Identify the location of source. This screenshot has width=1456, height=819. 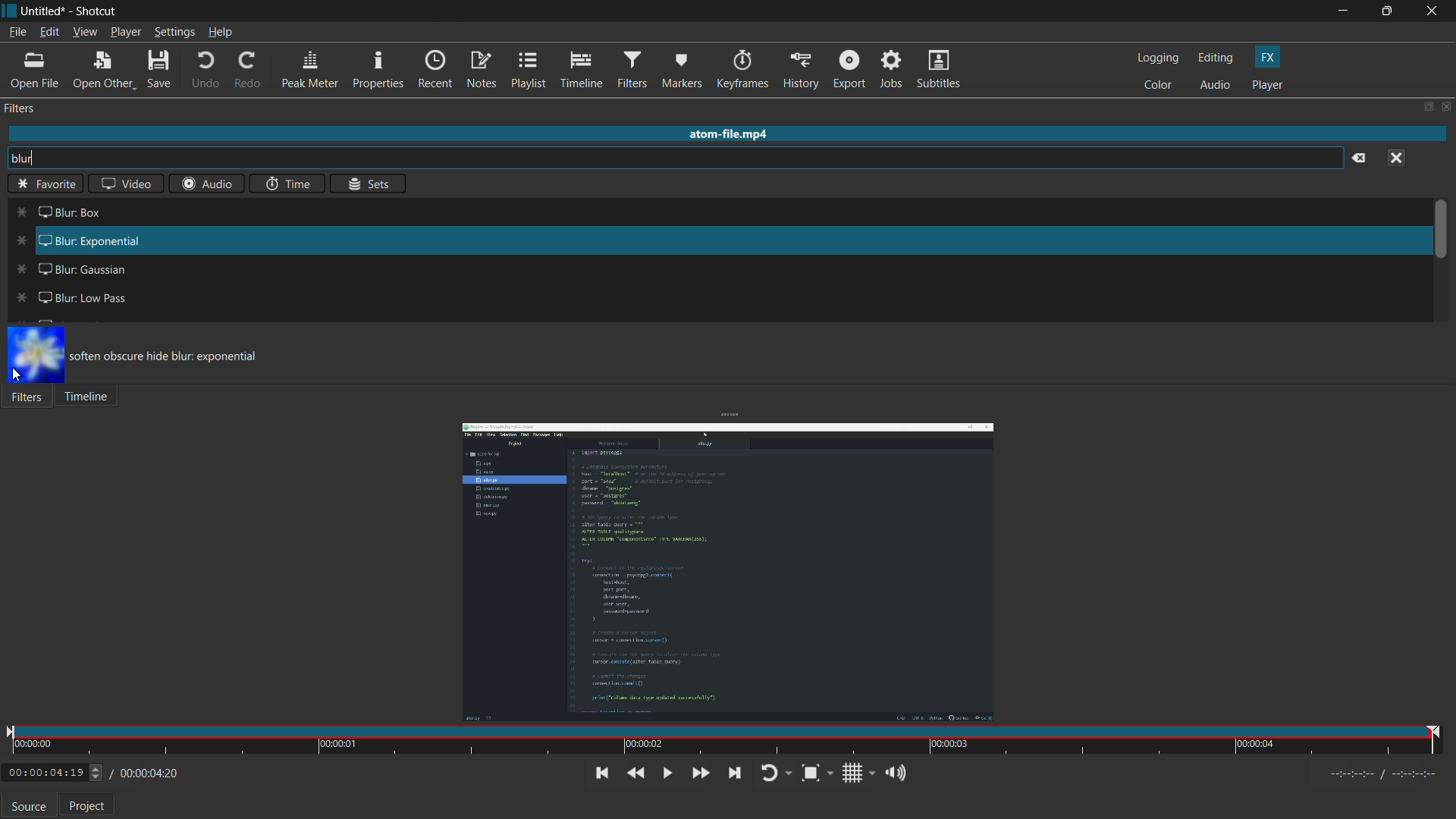
(28, 807).